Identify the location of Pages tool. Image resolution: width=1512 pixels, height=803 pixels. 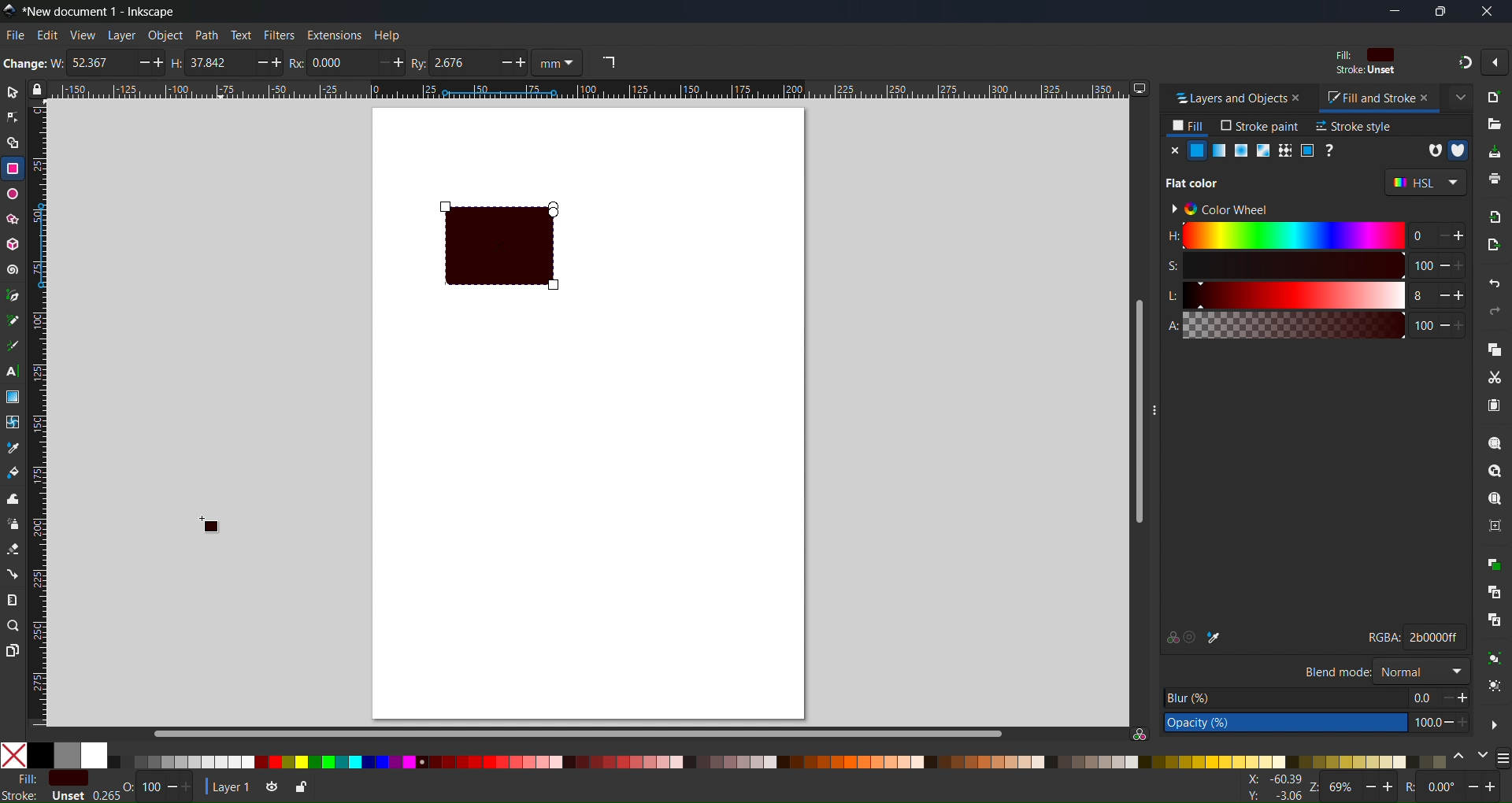
(13, 649).